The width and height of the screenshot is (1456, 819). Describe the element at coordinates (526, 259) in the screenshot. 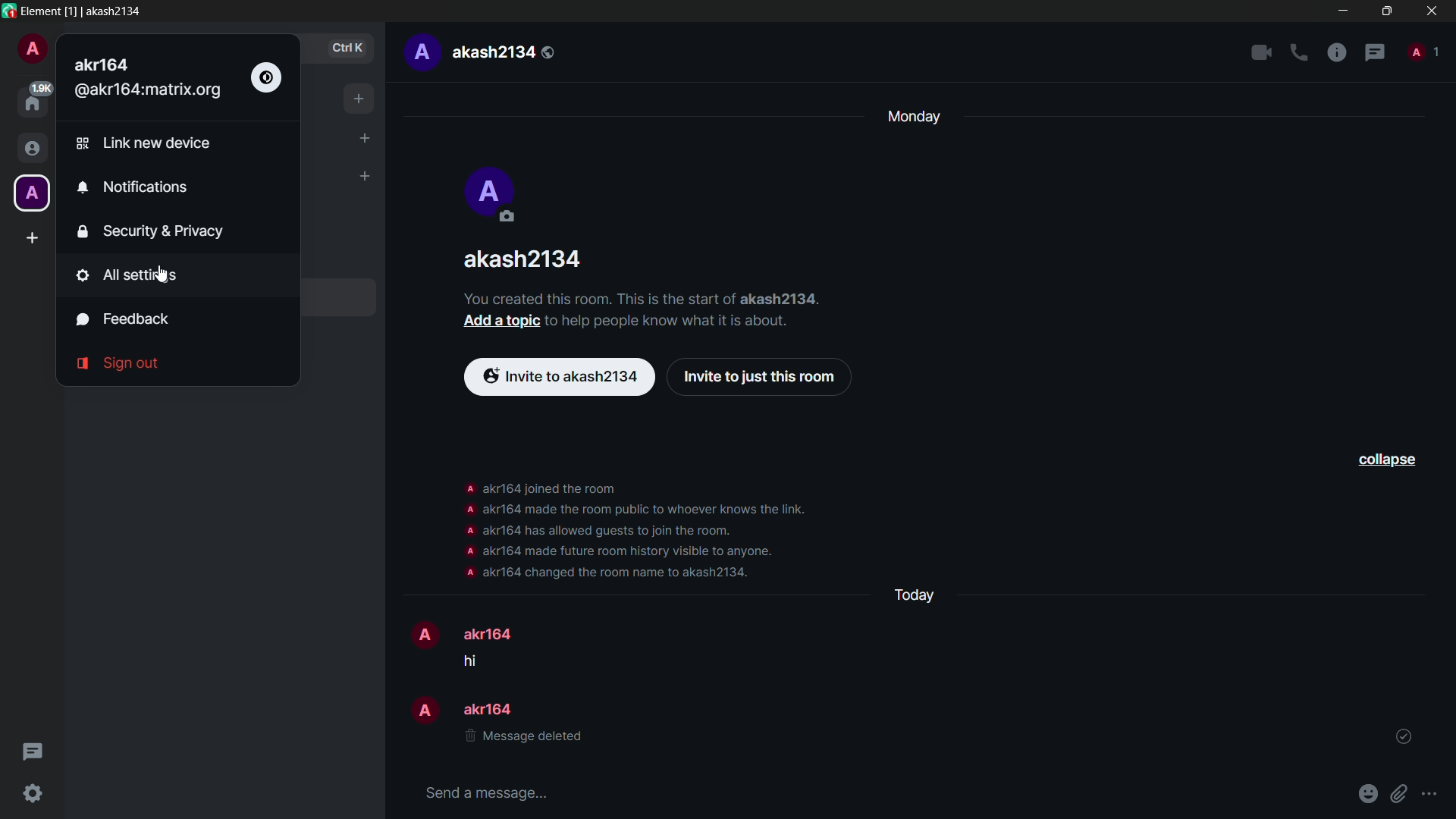

I see `akash2134` at that location.